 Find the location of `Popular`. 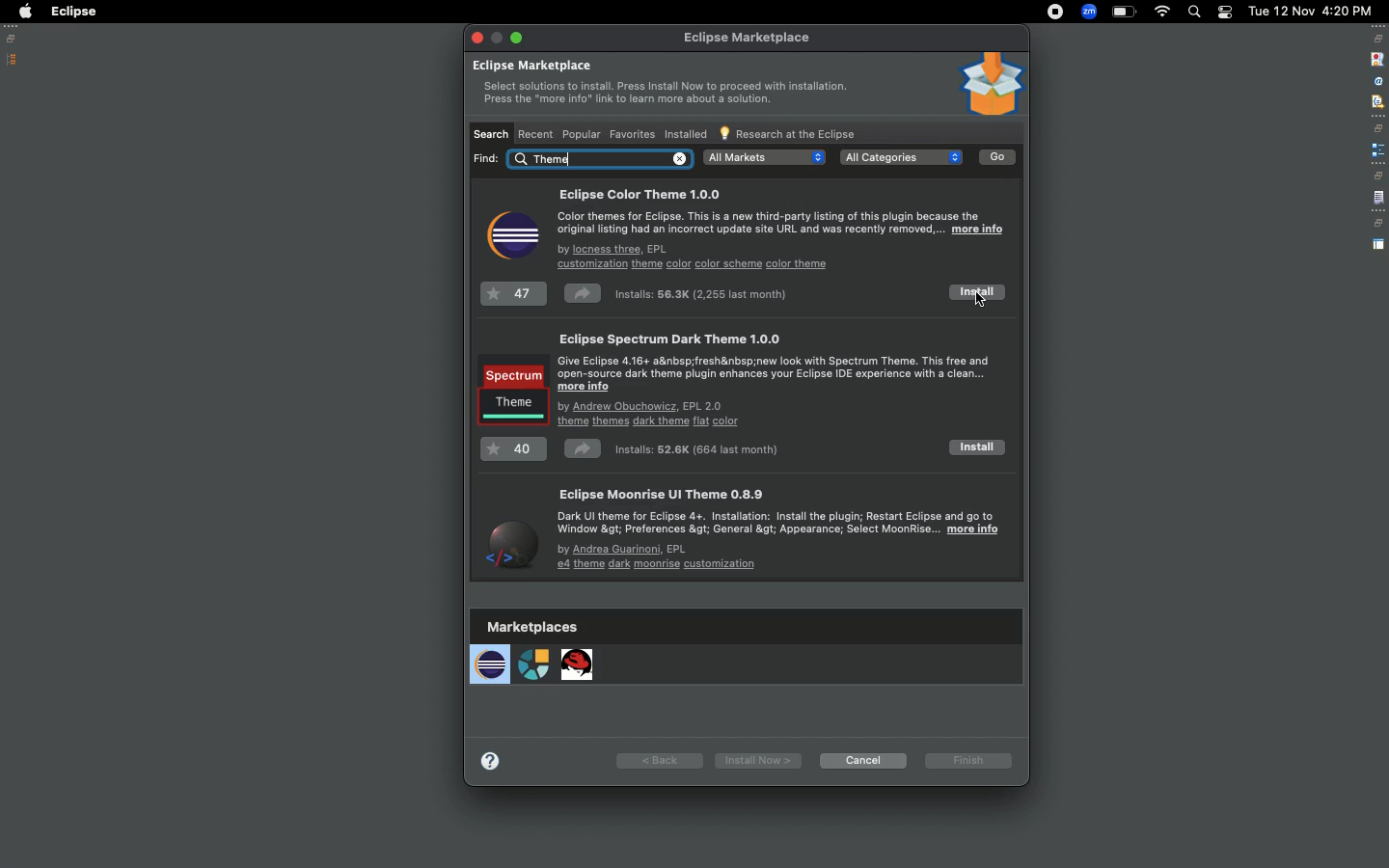

Popular is located at coordinates (580, 134).